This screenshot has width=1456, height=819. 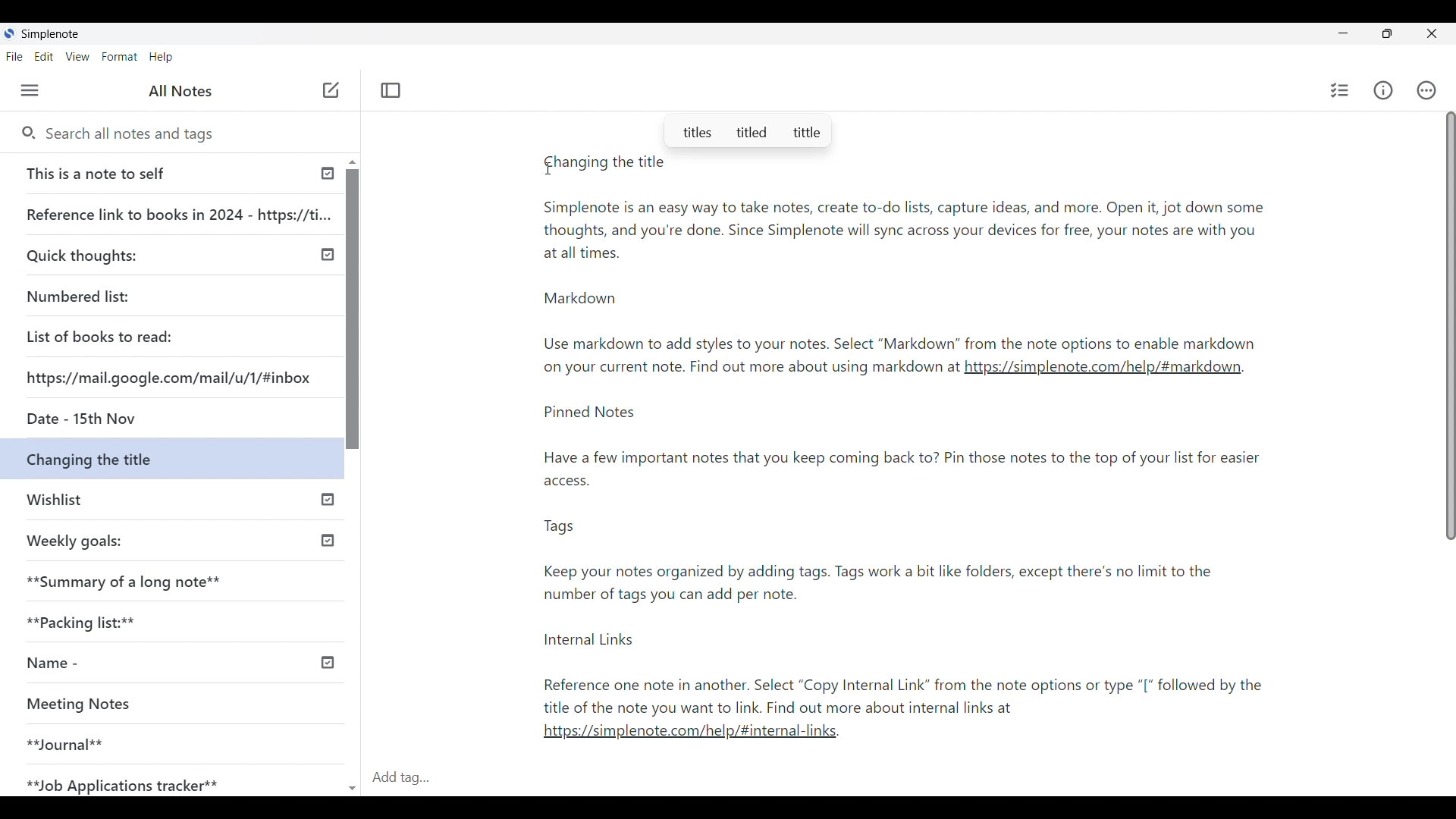 What do you see at coordinates (119, 57) in the screenshot?
I see `Format menu` at bounding box center [119, 57].